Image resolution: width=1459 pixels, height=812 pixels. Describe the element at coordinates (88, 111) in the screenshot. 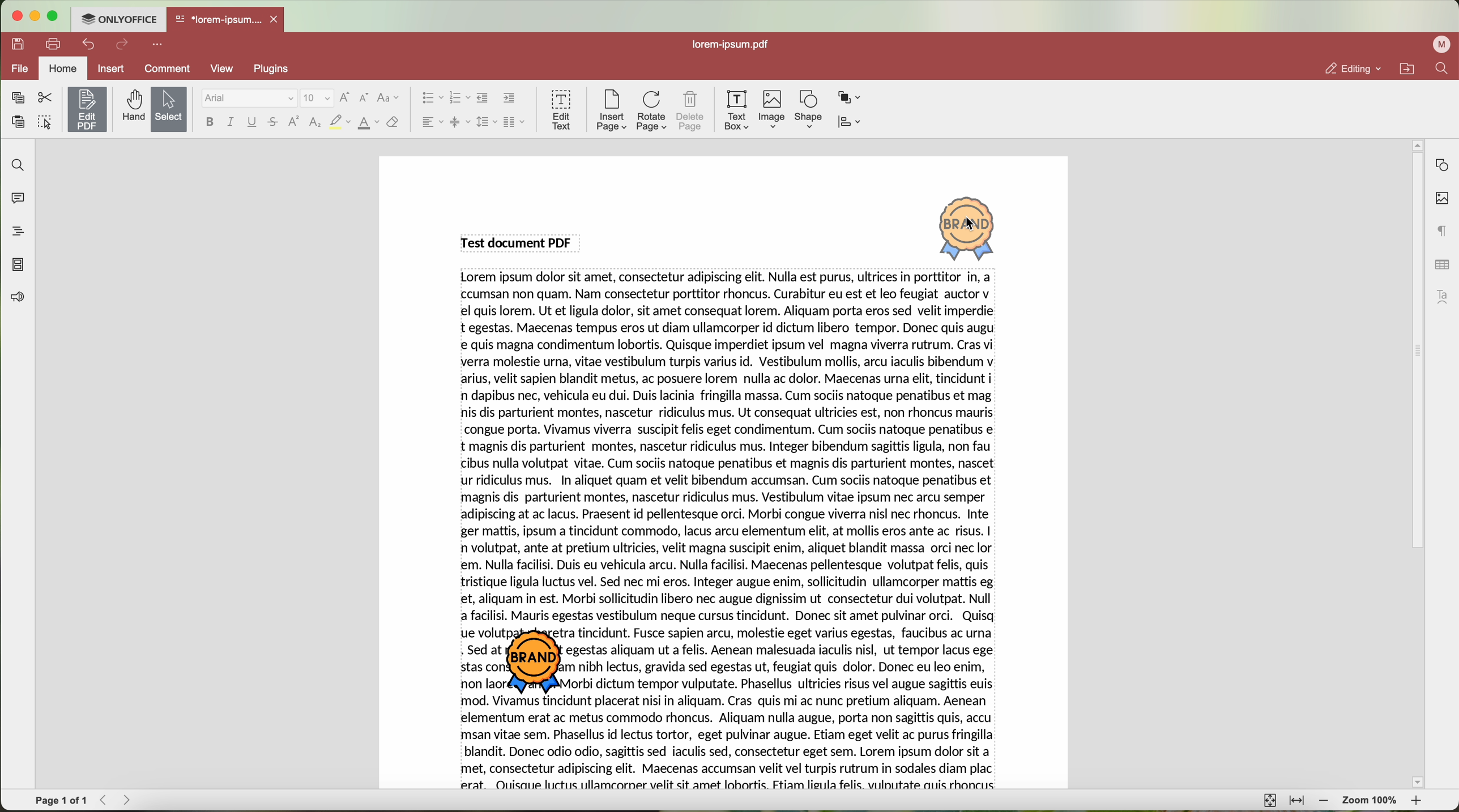

I see `click on edit PDF` at that location.